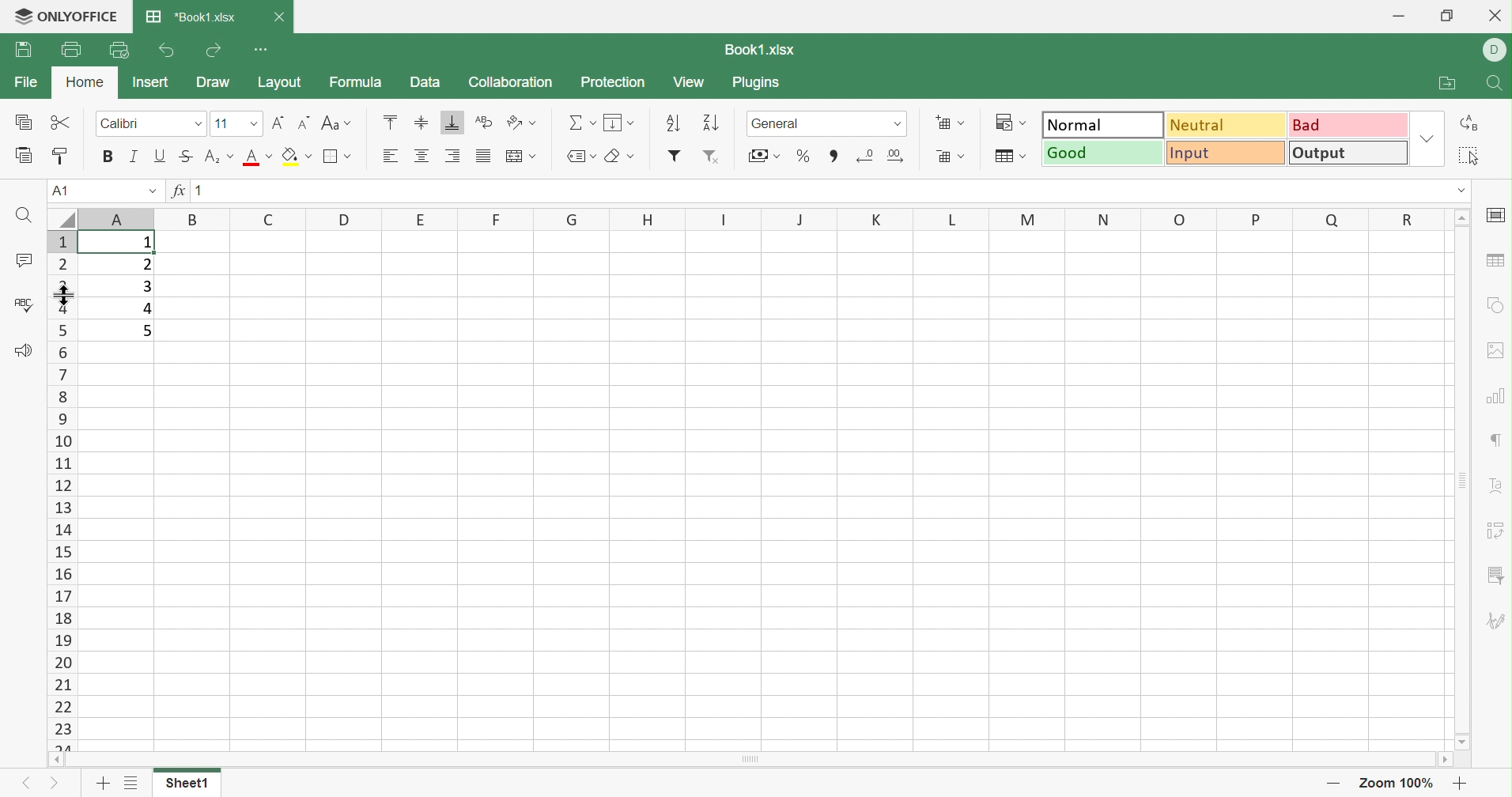 Image resolution: width=1512 pixels, height=797 pixels. I want to click on Scroll Left, so click(58, 759).